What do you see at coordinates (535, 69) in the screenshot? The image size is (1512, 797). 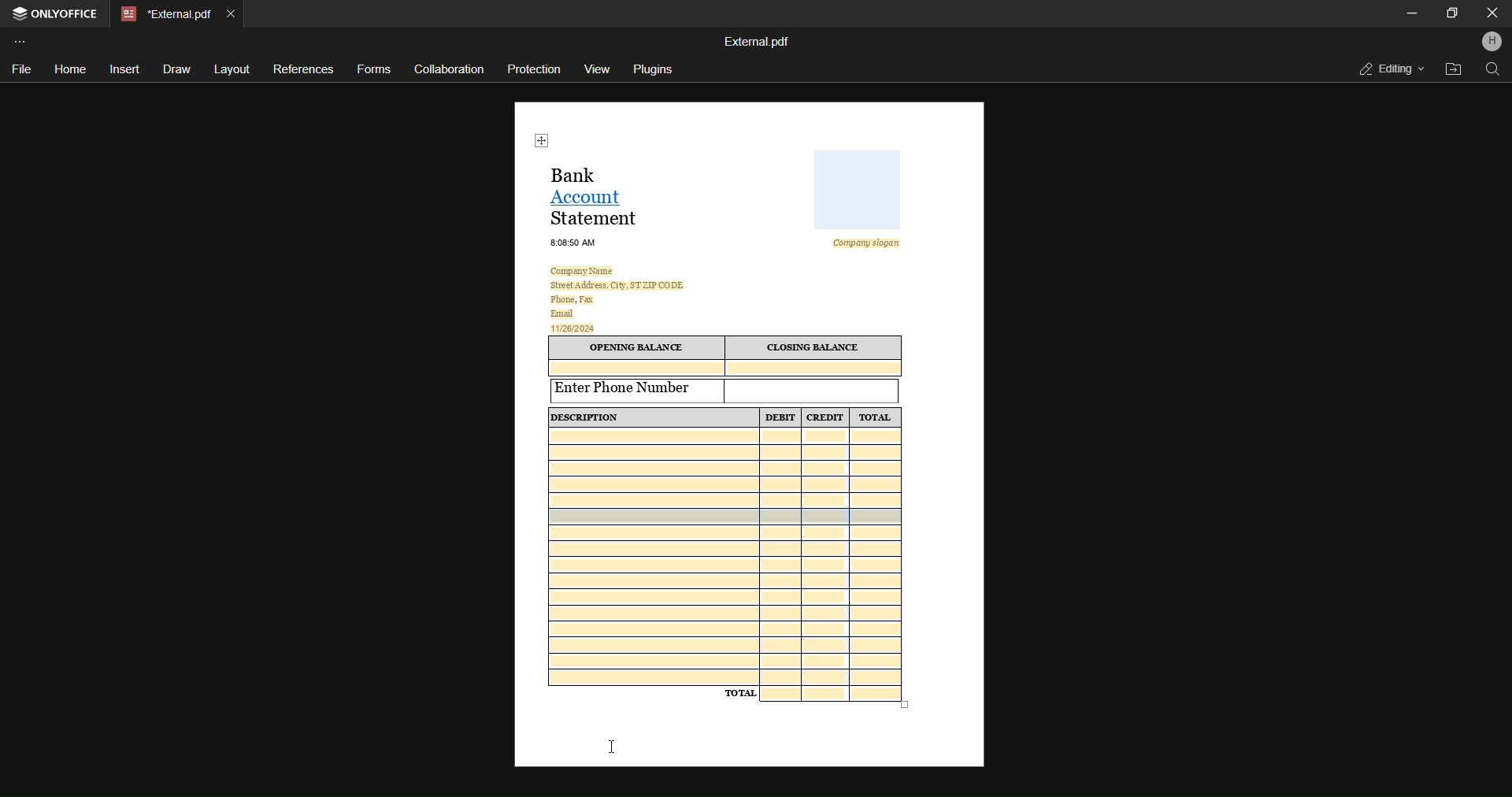 I see `protection` at bounding box center [535, 69].